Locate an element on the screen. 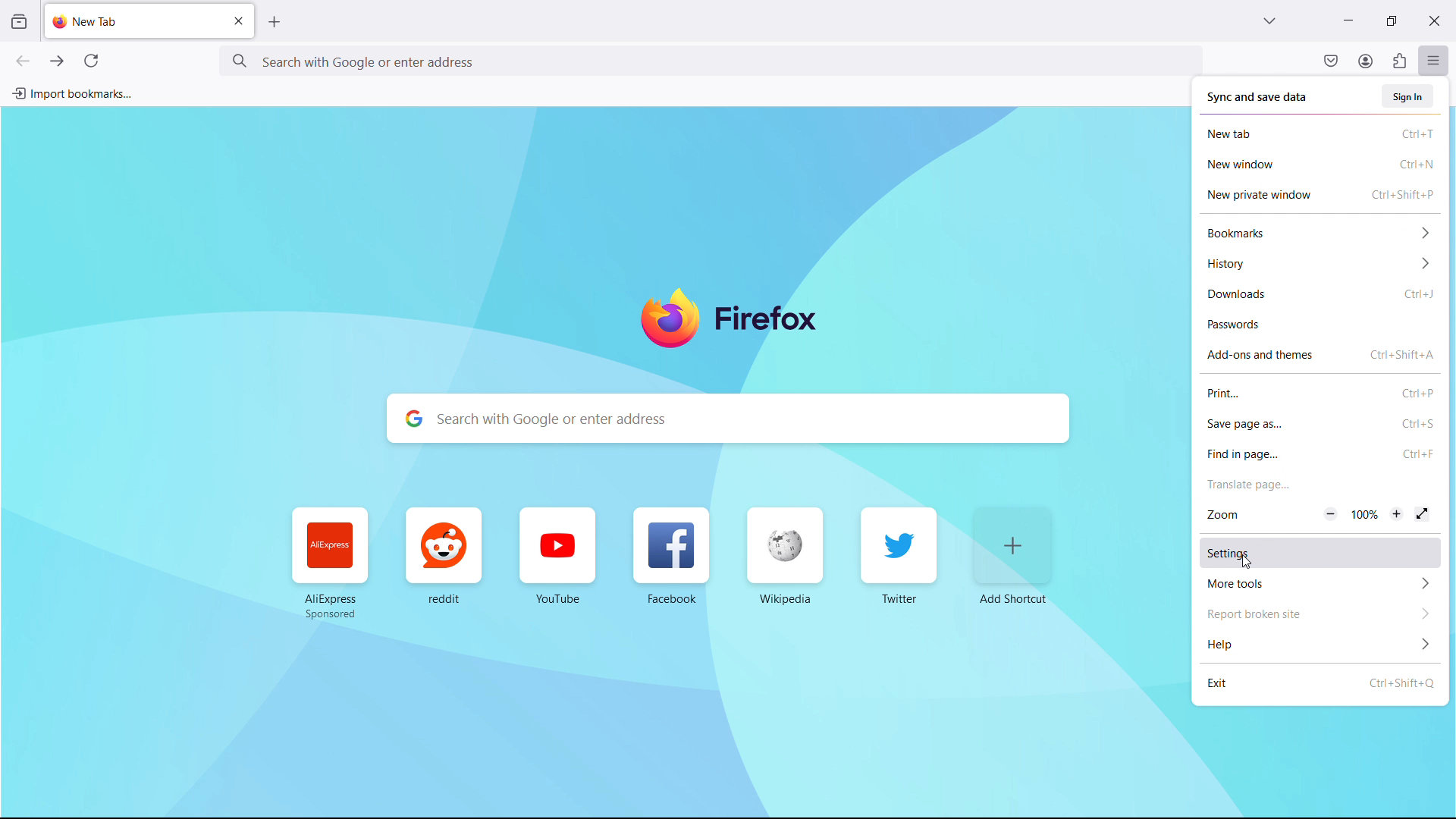  minimize is located at coordinates (1347, 19).